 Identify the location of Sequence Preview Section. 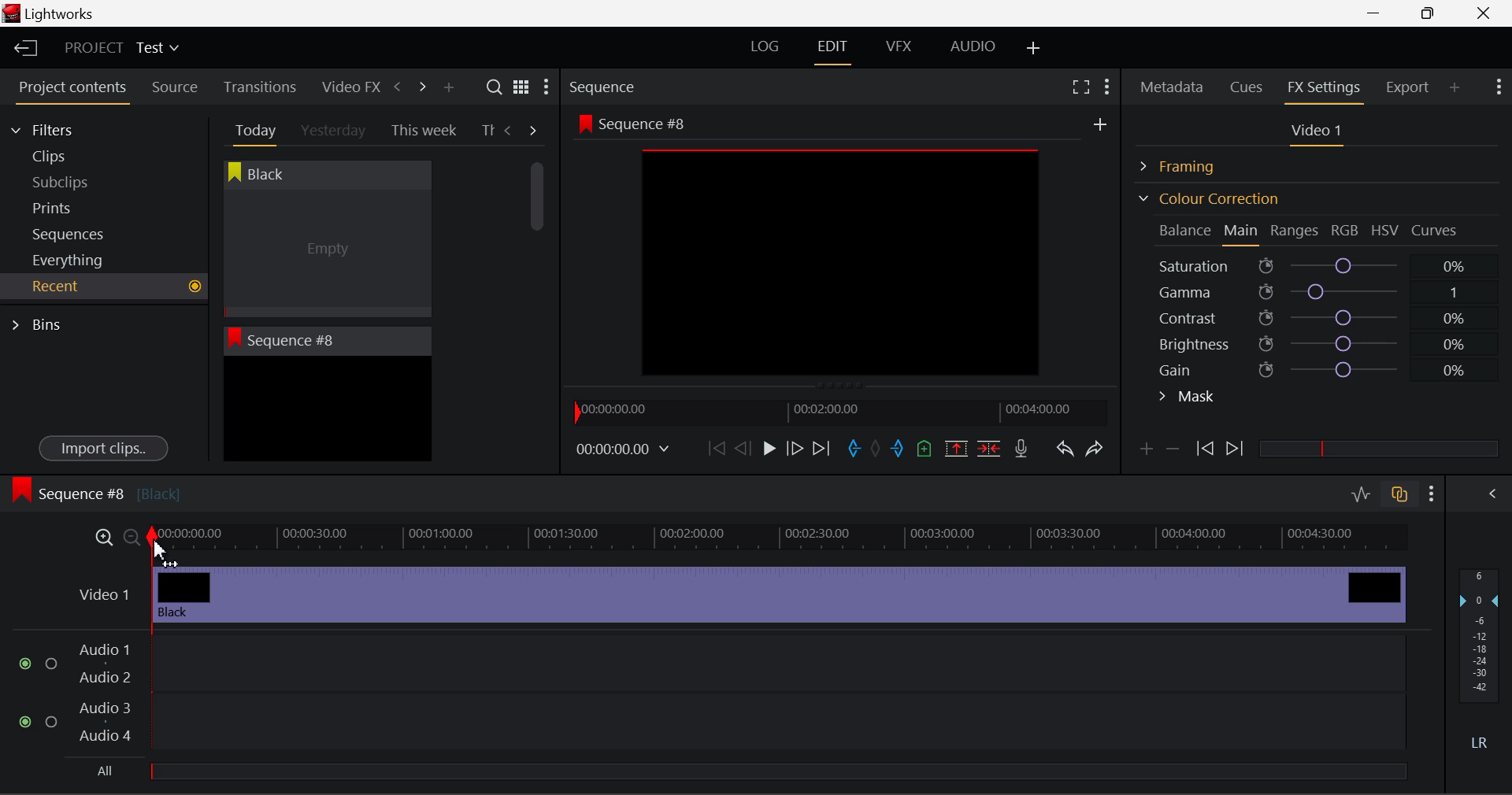
(606, 88).